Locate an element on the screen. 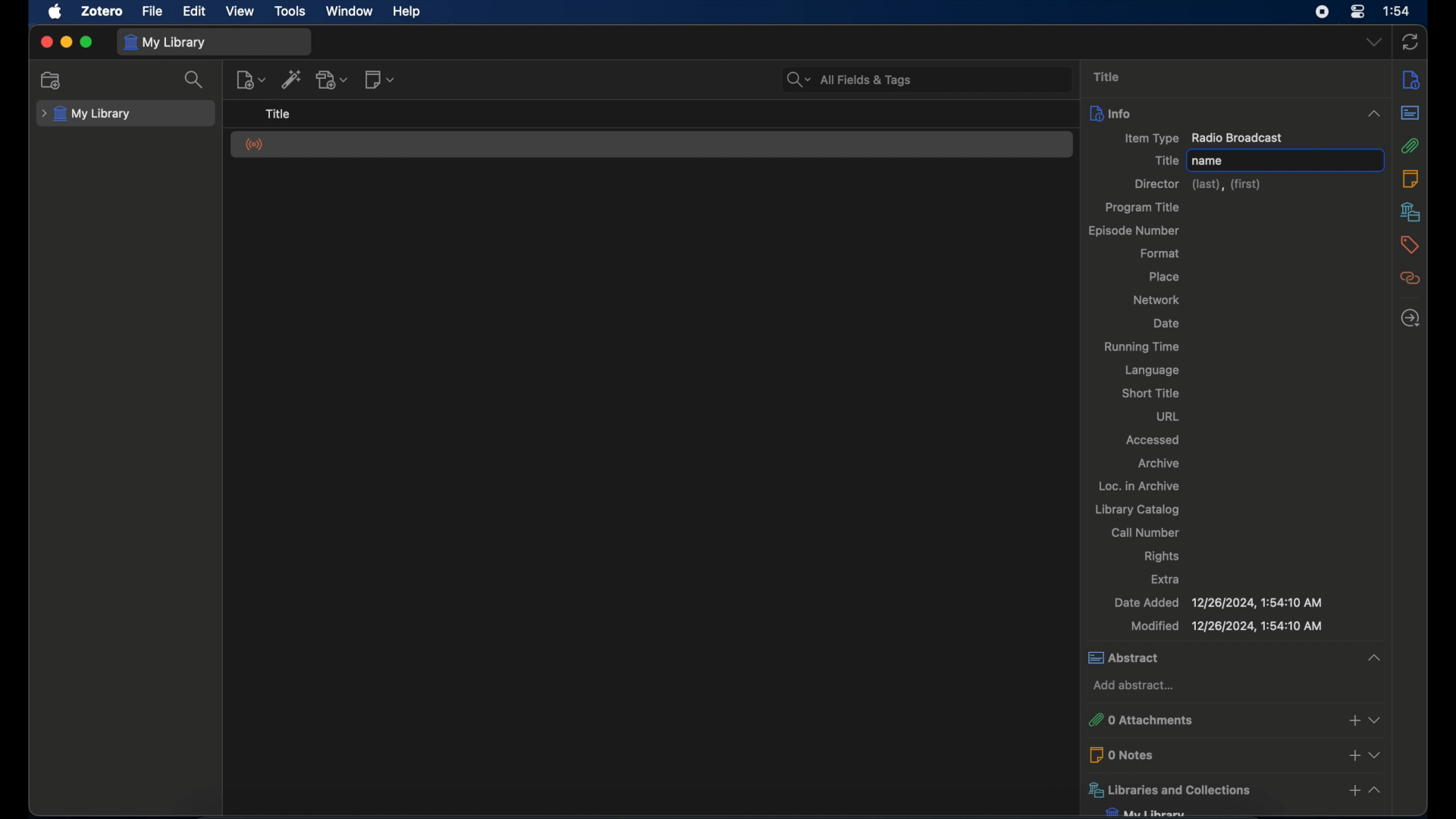 This screenshot has height=819, width=1456. dropdown is located at coordinates (1373, 42).